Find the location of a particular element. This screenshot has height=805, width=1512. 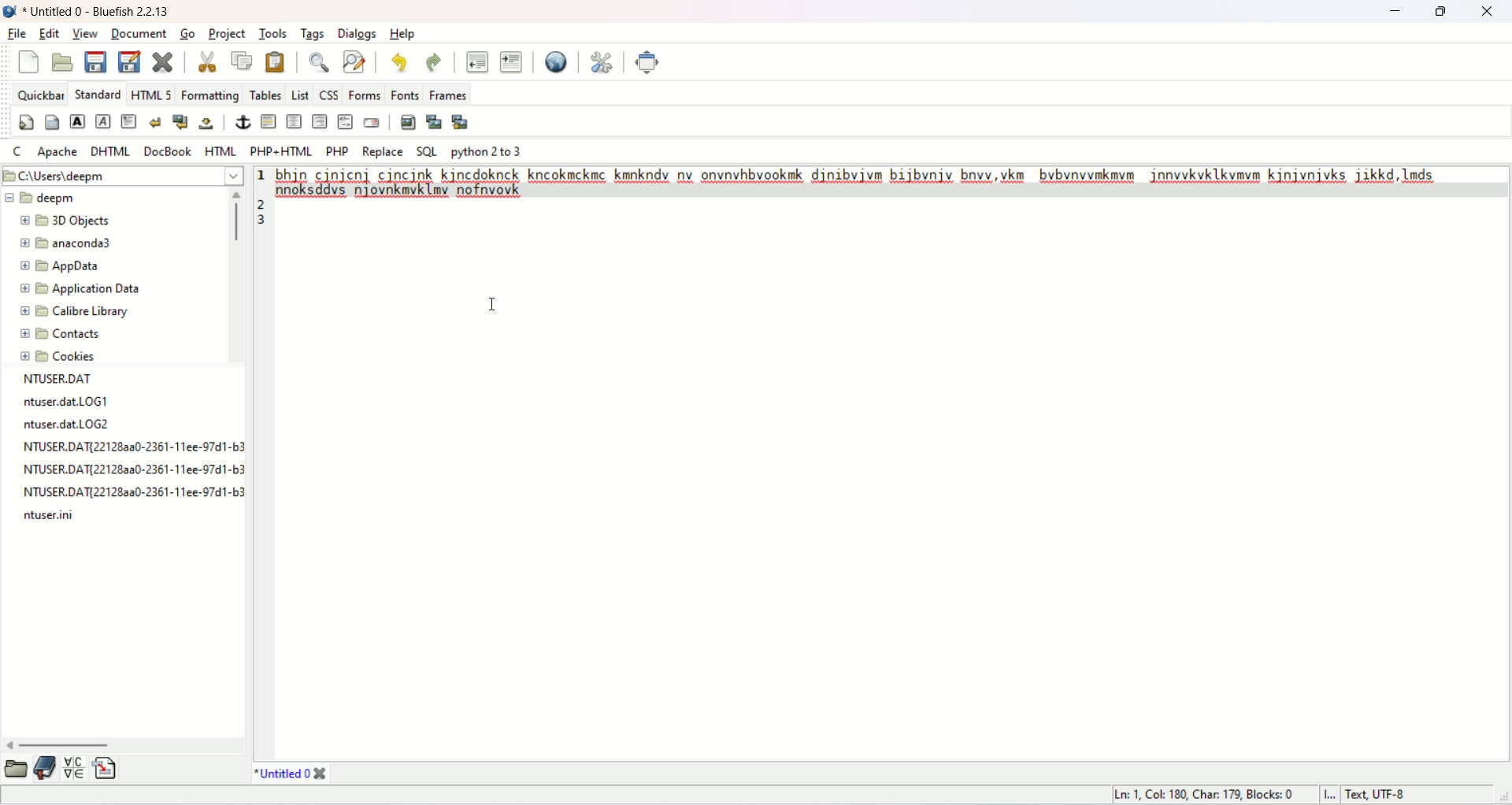

tags is located at coordinates (312, 32).